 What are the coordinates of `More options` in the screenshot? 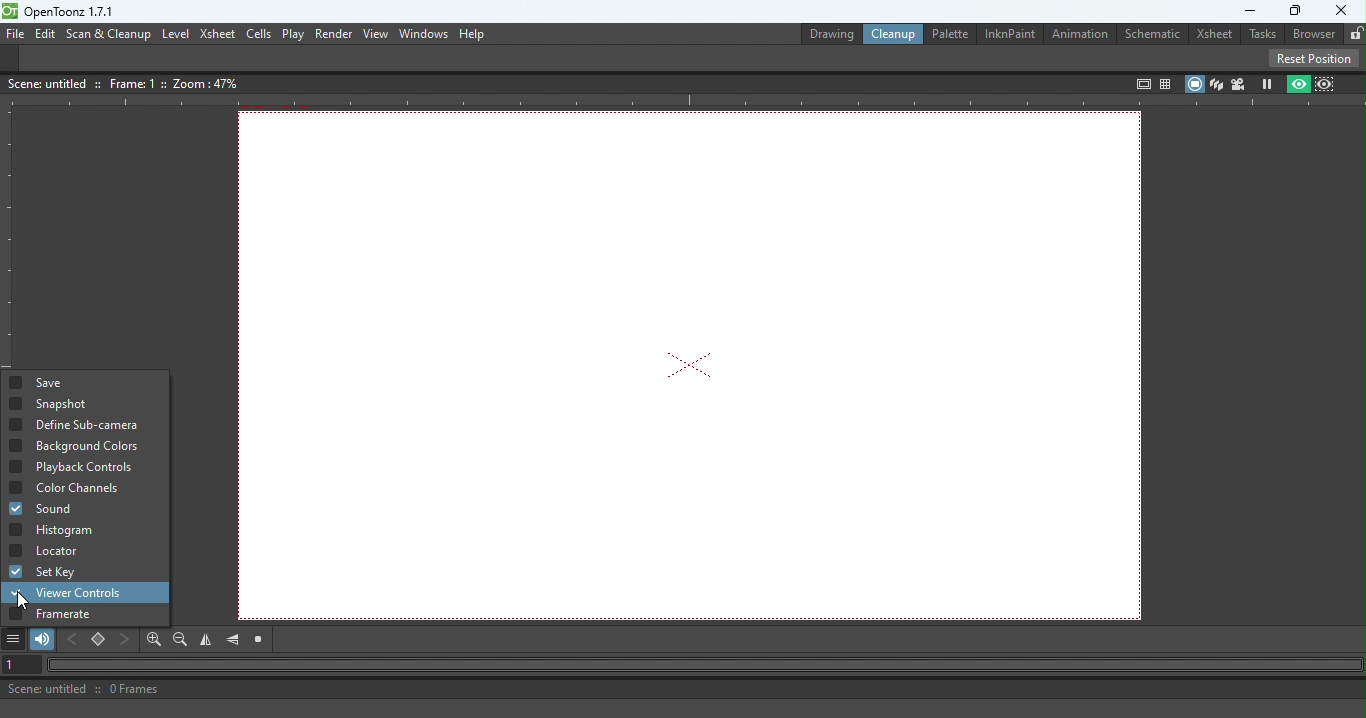 It's located at (13, 639).